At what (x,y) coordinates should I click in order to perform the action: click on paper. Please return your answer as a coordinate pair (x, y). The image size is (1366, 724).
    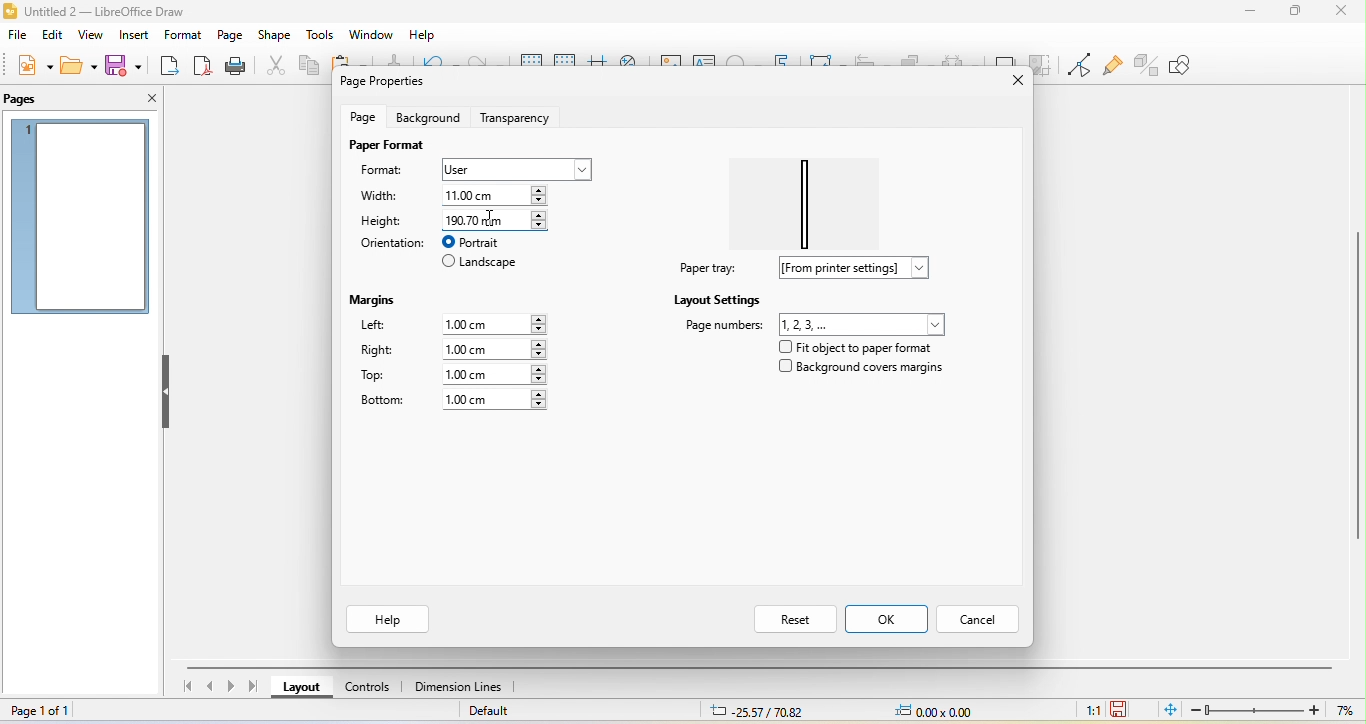
    Looking at the image, I should click on (812, 197).